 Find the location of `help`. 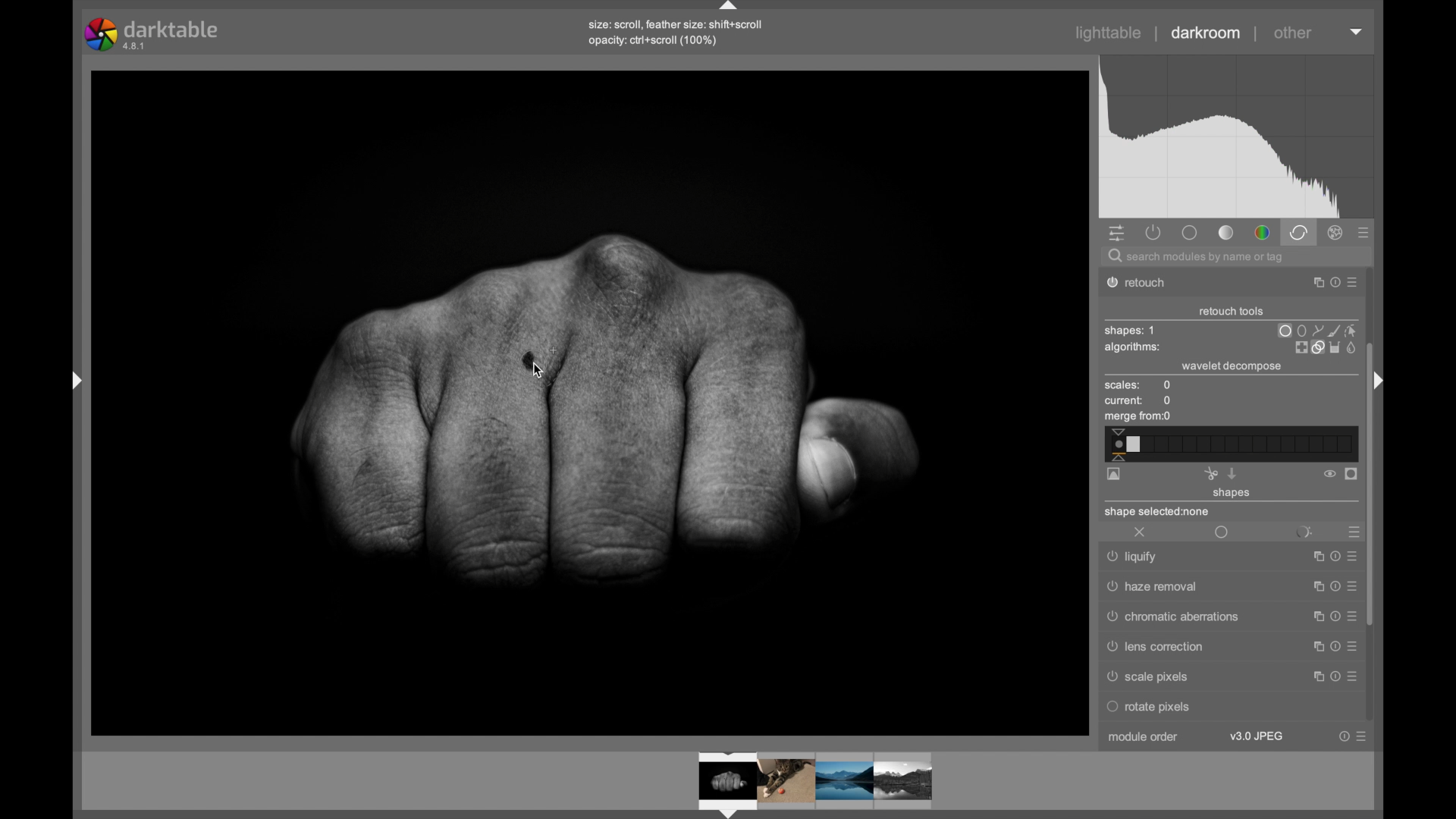

help is located at coordinates (1332, 587).